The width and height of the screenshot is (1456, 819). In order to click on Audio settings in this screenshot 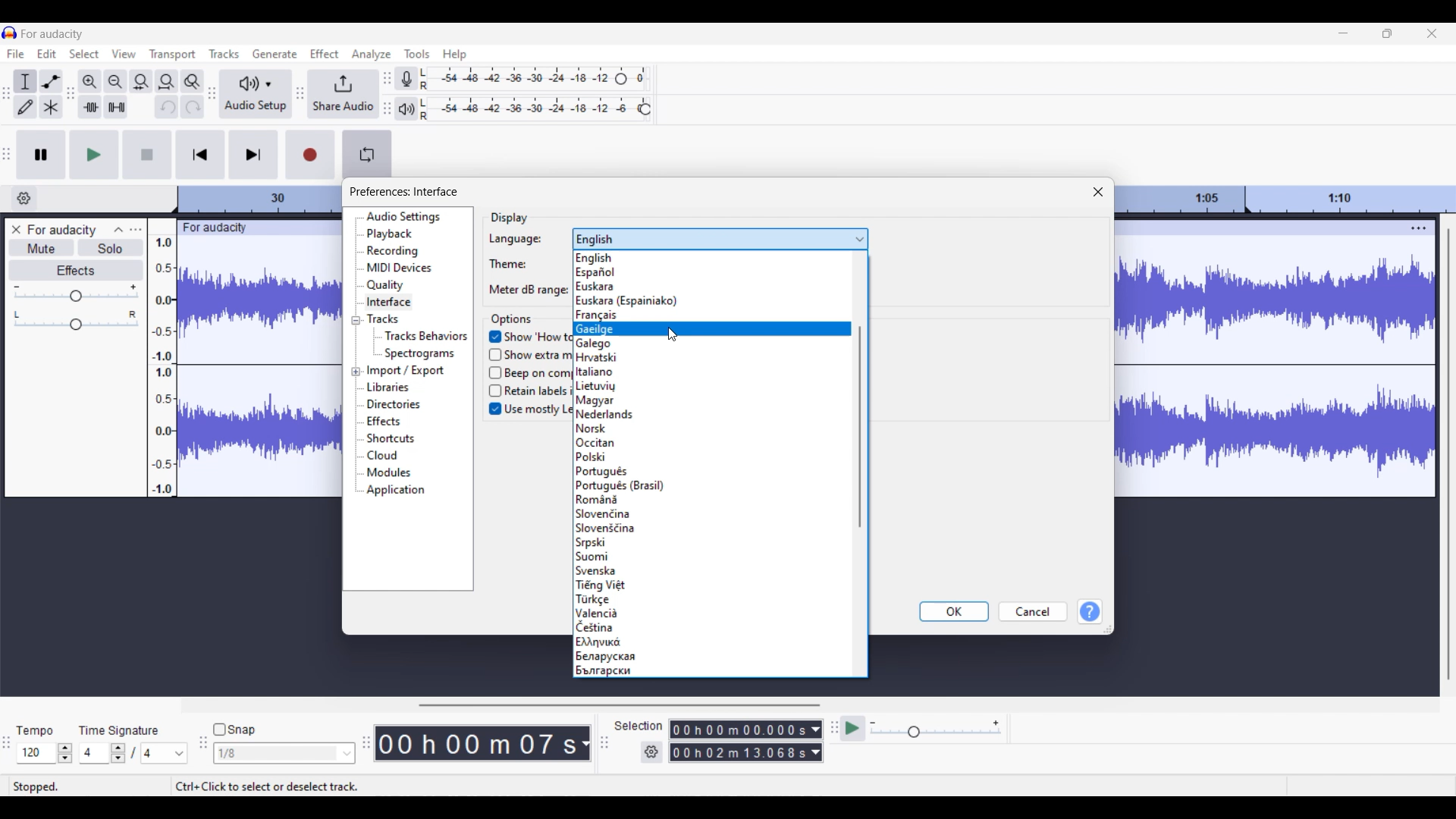, I will do `click(403, 217)`.